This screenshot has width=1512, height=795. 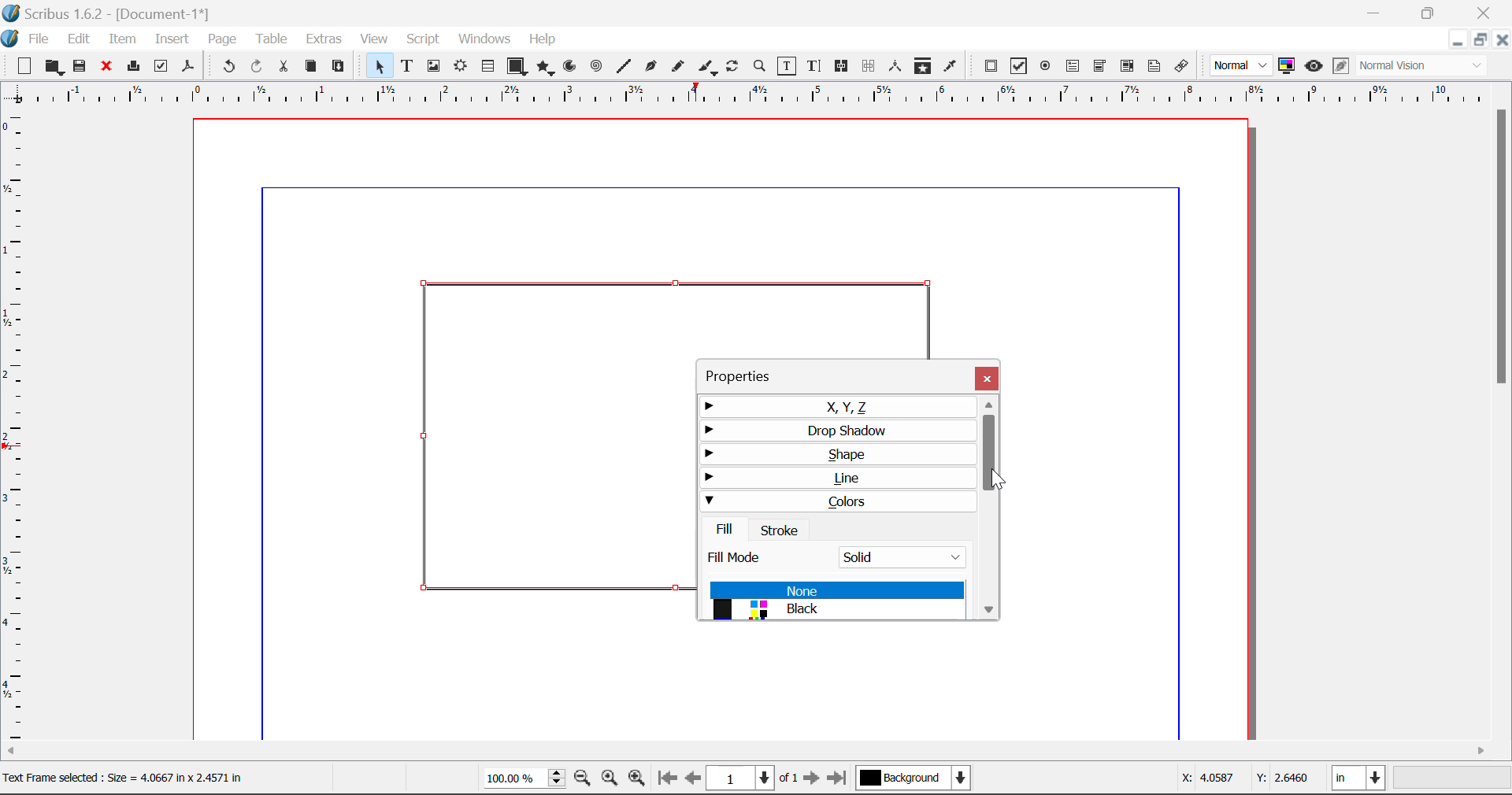 I want to click on Delink Frames, so click(x=870, y=66).